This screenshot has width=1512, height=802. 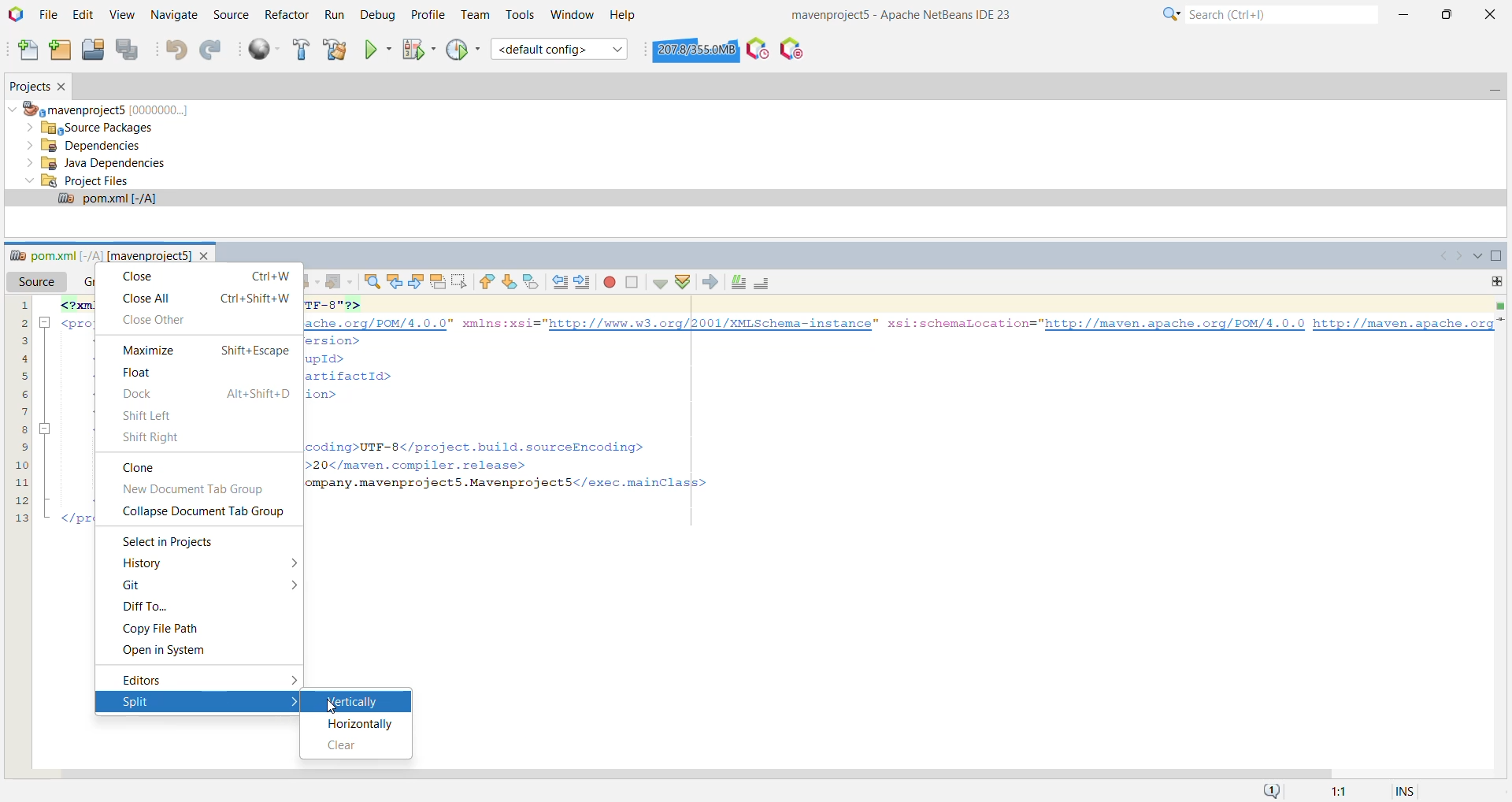 What do you see at coordinates (660, 284) in the screenshot?
I see `Check File` at bounding box center [660, 284].